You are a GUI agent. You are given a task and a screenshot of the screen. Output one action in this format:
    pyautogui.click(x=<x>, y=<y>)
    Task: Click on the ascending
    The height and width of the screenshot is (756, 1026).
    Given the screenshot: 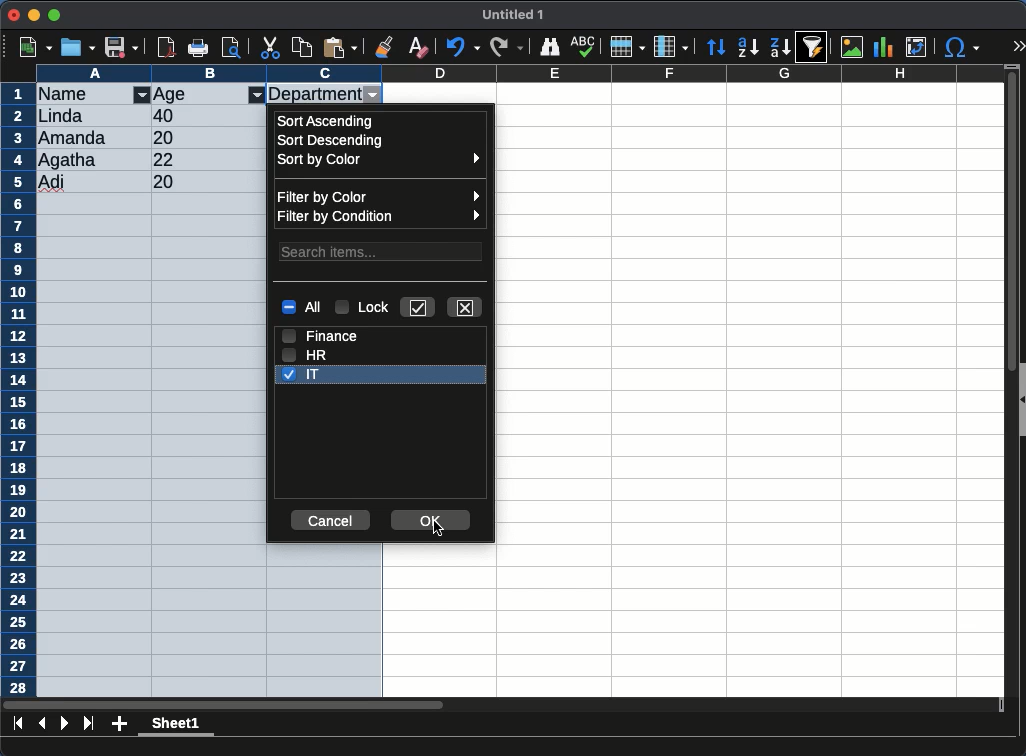 What is the action you would take?
    pyautogui.click(x=328, y=120)
    